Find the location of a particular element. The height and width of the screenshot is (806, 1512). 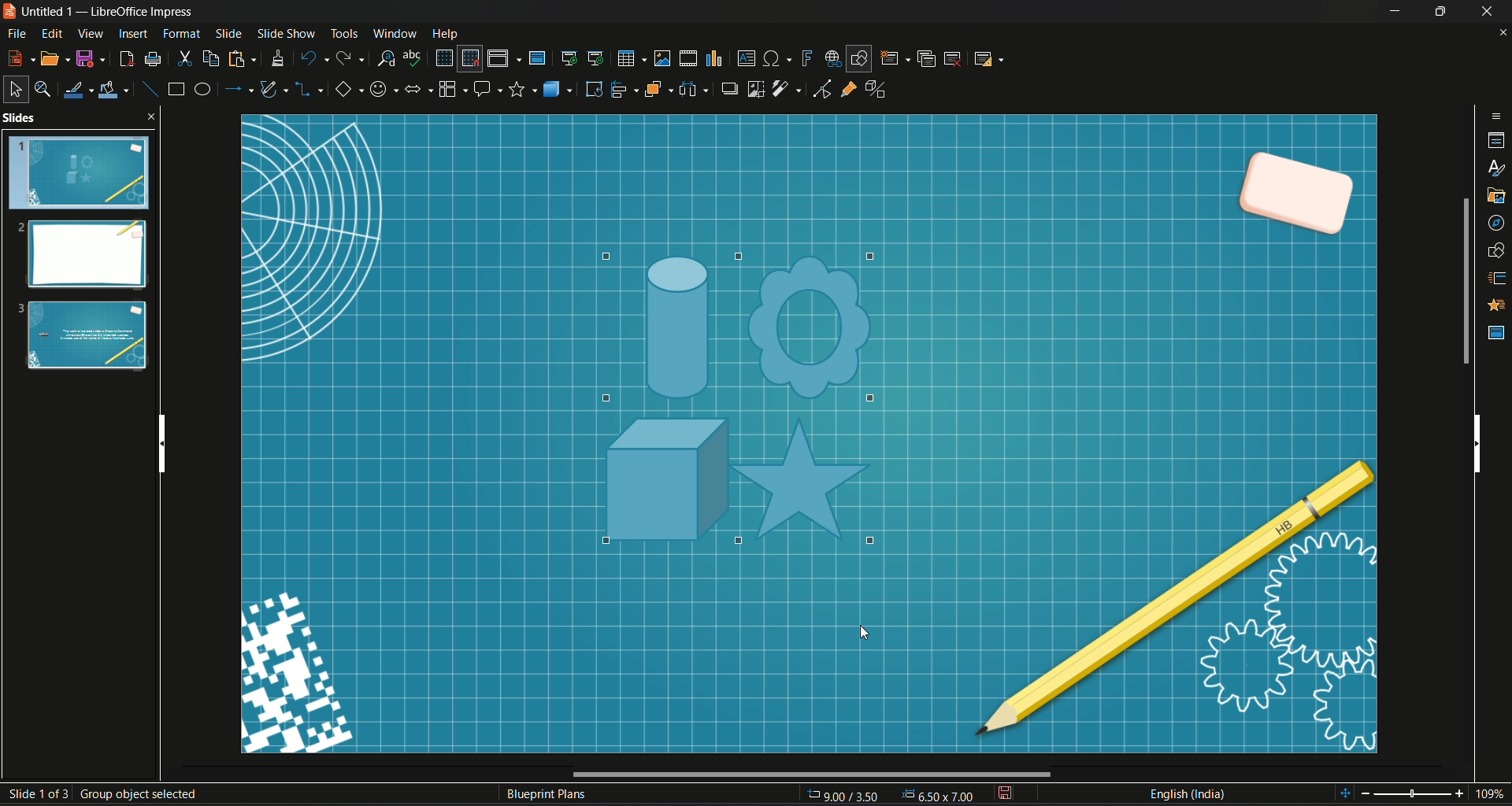

fill color is located at coordinates (114, 91).